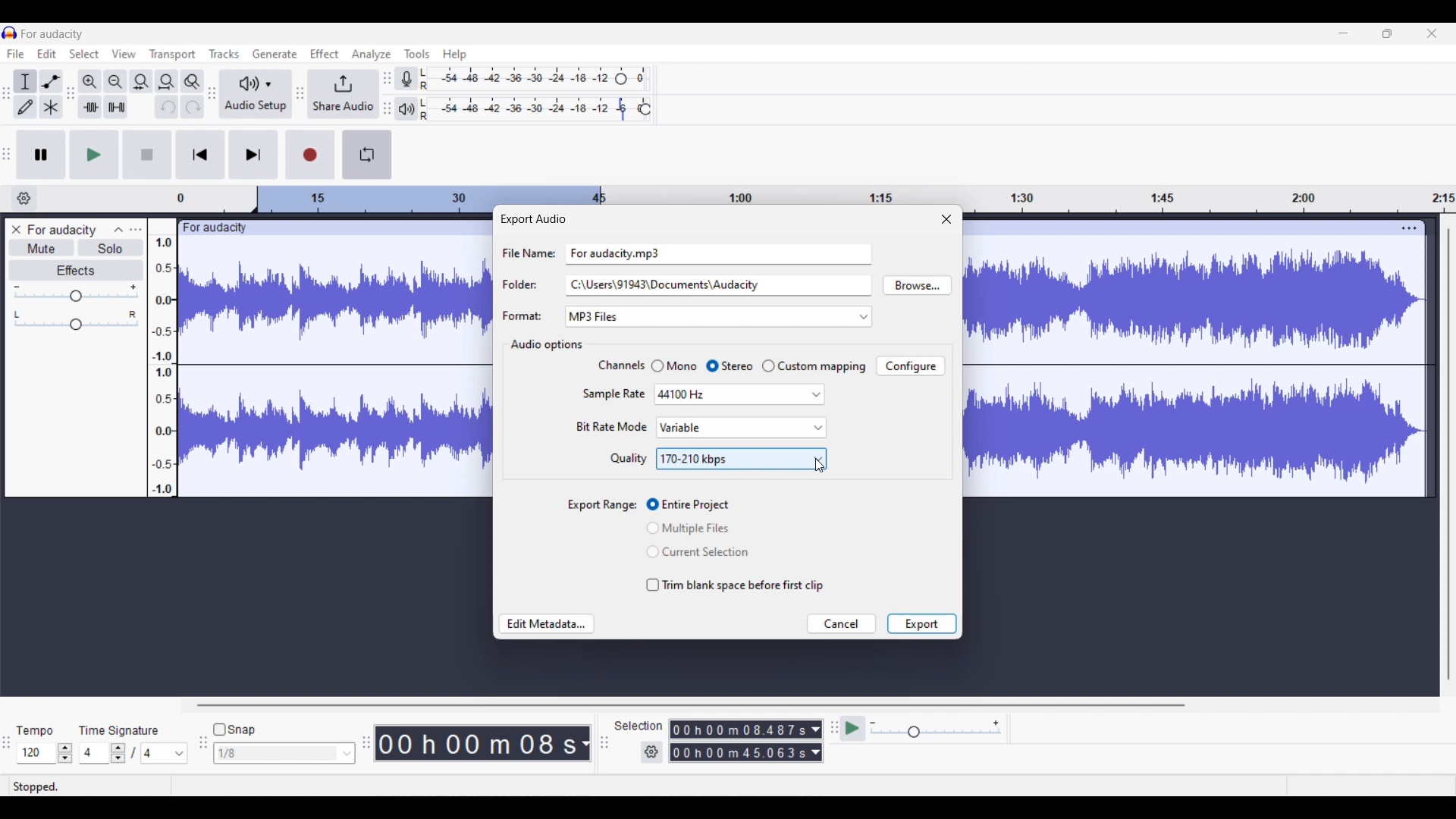 This screenshot has height=819, width=1456. Describe the element at coordinates (46, 54) in the screenshot. I see `Edit menu` at that location.